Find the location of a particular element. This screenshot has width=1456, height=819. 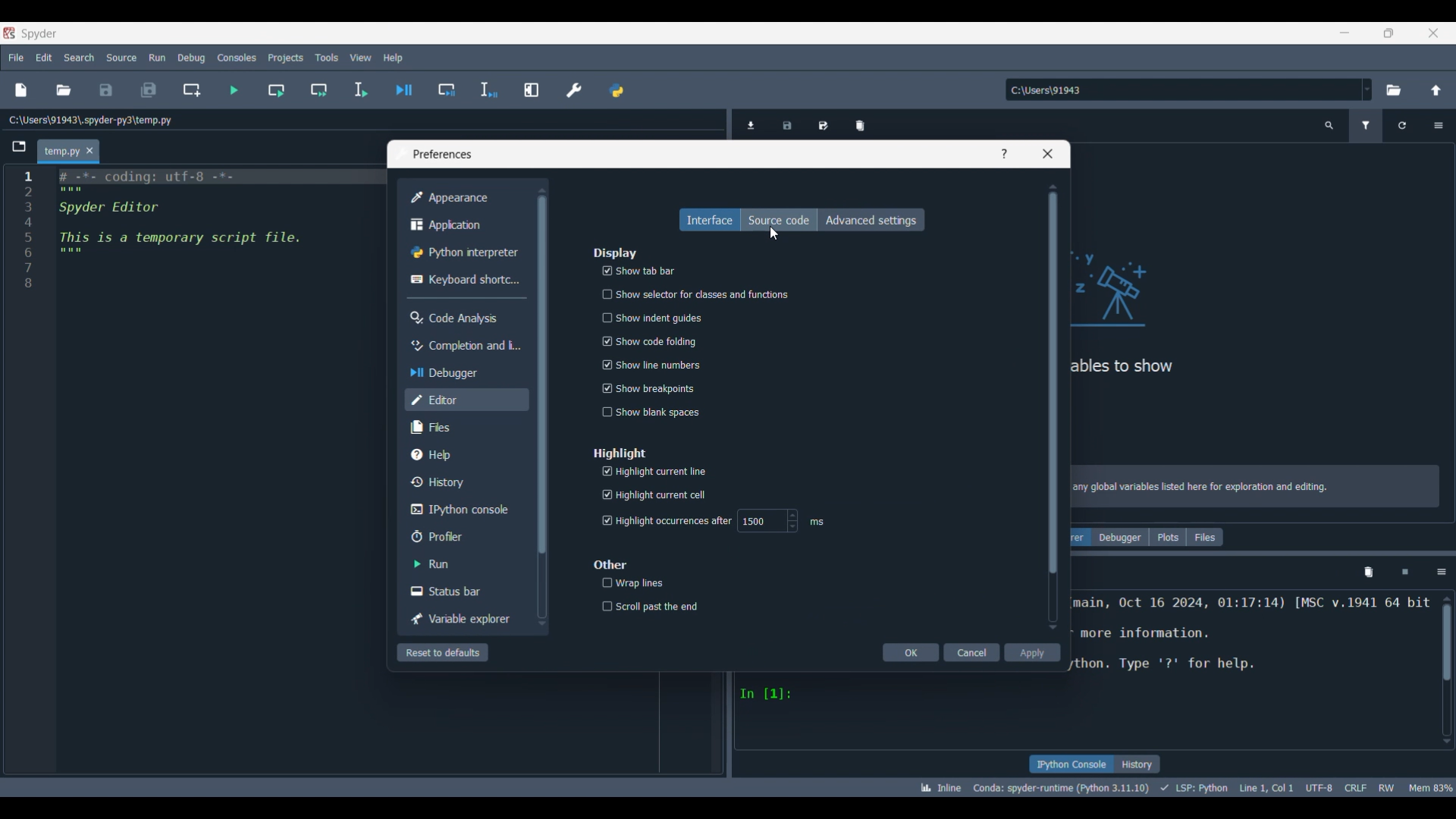

Highlight current line is located at coordinates (675, 472).